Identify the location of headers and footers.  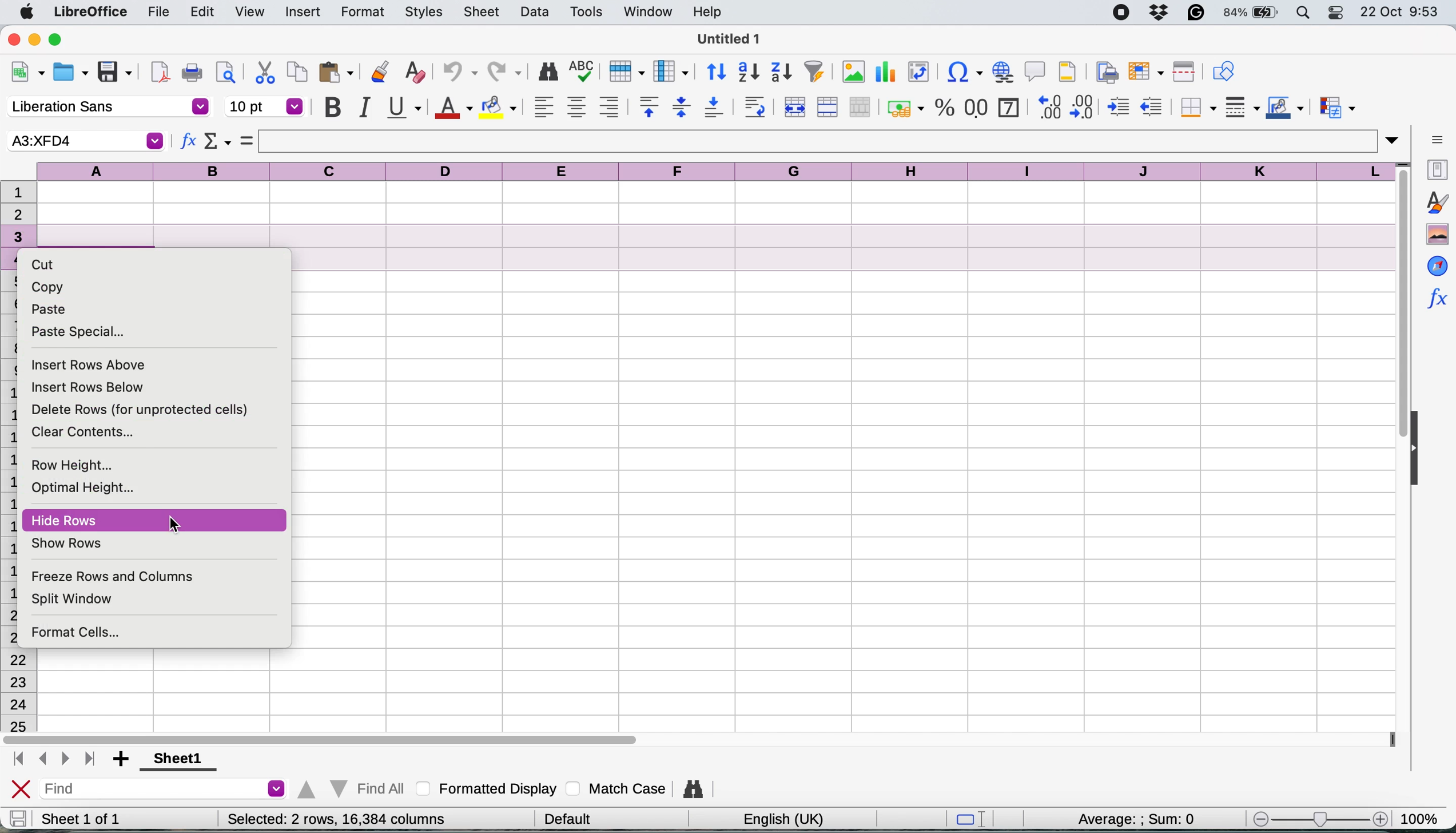
(1068, 72).